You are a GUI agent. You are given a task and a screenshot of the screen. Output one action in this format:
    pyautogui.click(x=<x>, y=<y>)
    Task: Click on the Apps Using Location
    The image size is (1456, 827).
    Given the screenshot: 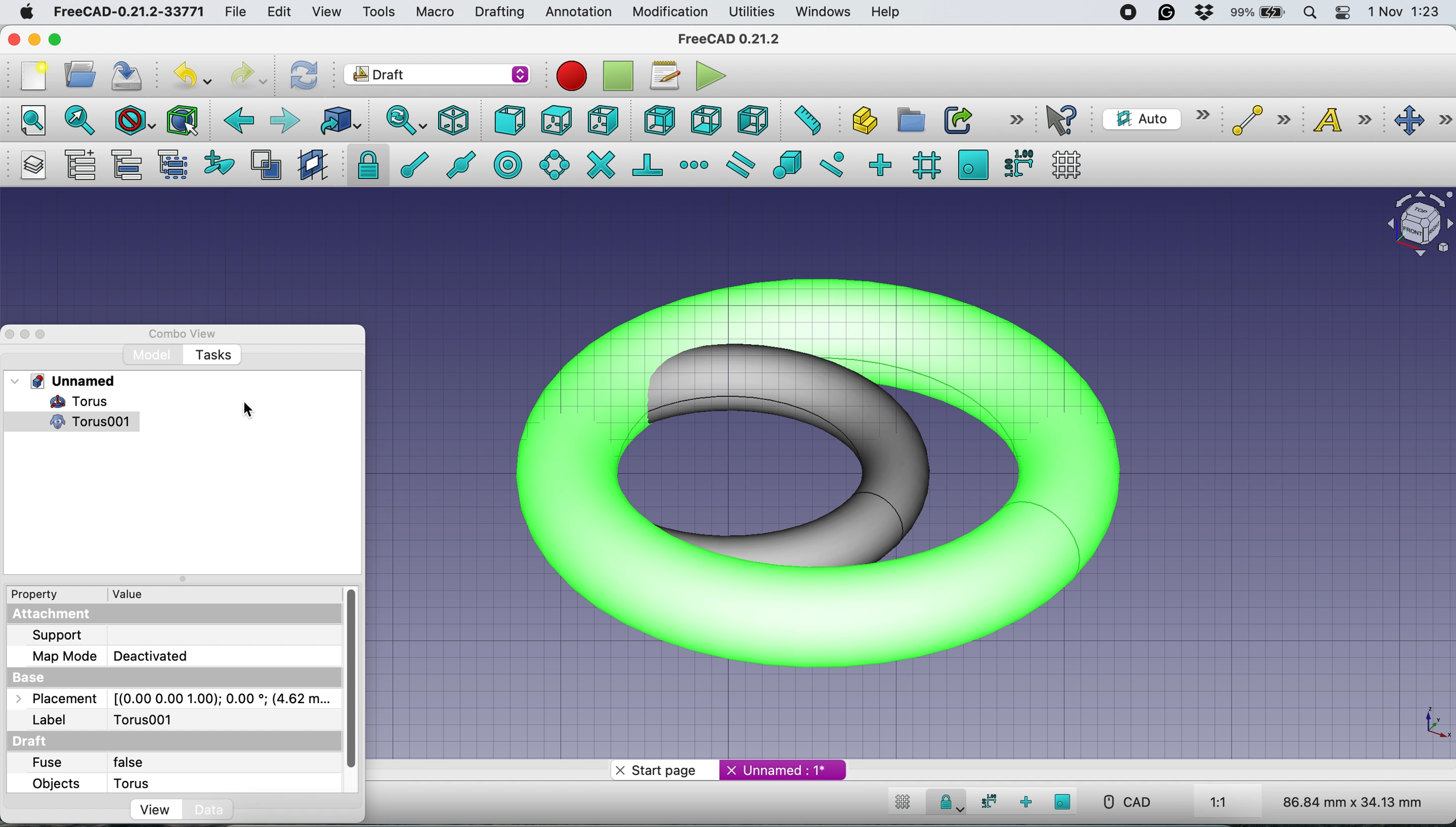 What is the action you would take?
    pyautogui.click(x=1092, y=14)
    